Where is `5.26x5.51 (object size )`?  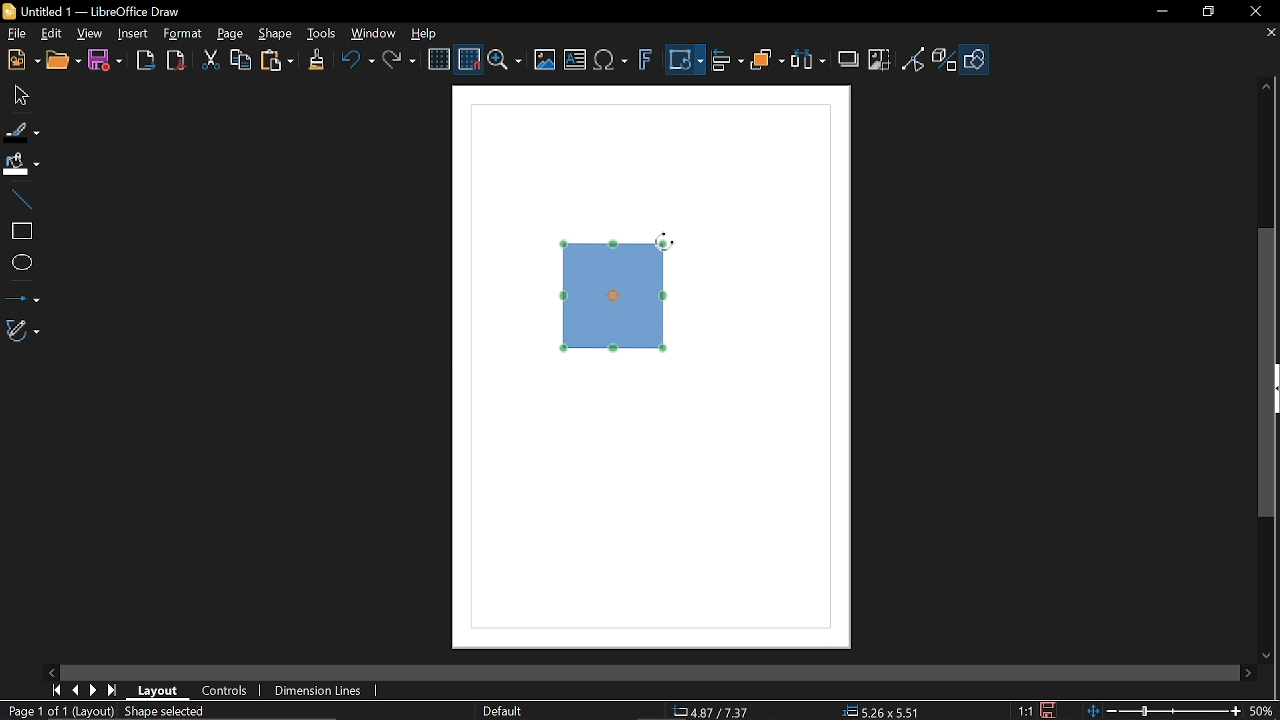 5.26x5.51 (object size ) is located at coordinates (885, 711).